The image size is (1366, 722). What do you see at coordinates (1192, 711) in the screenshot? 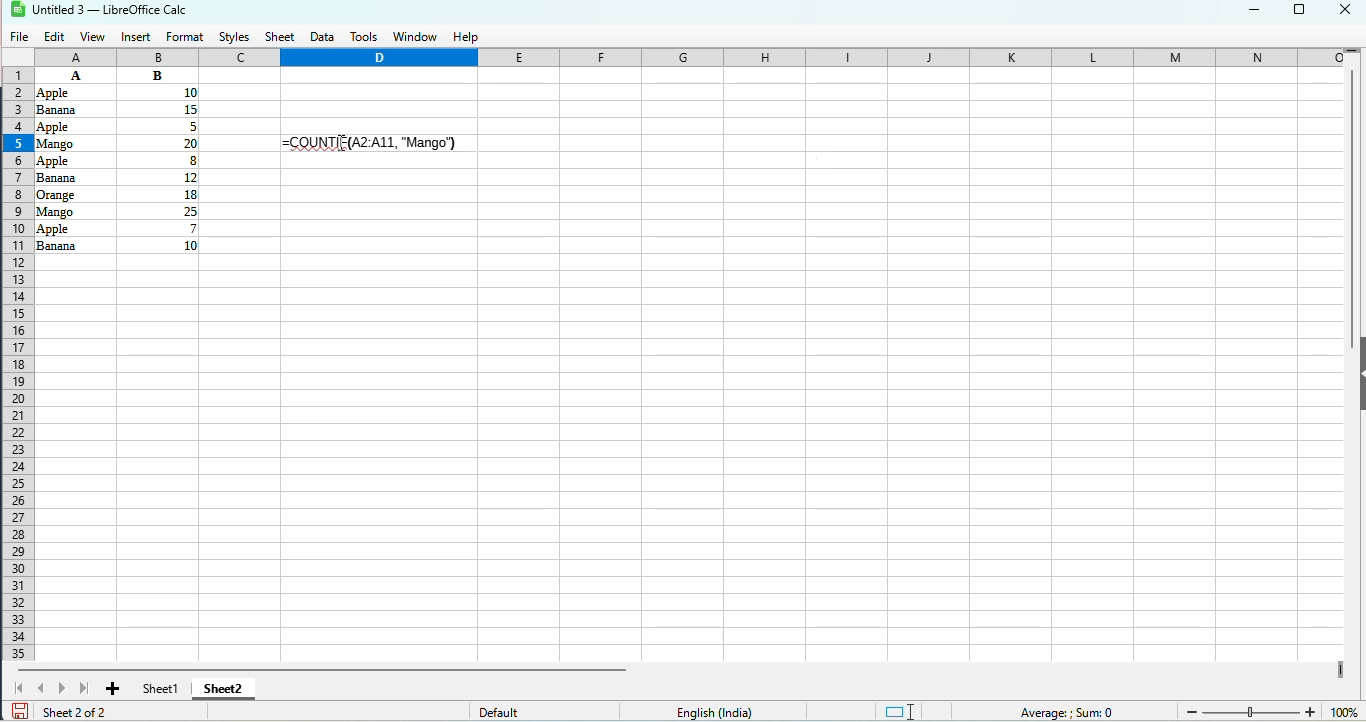
I see `Zoom out` at bounding box center [1192, 711].